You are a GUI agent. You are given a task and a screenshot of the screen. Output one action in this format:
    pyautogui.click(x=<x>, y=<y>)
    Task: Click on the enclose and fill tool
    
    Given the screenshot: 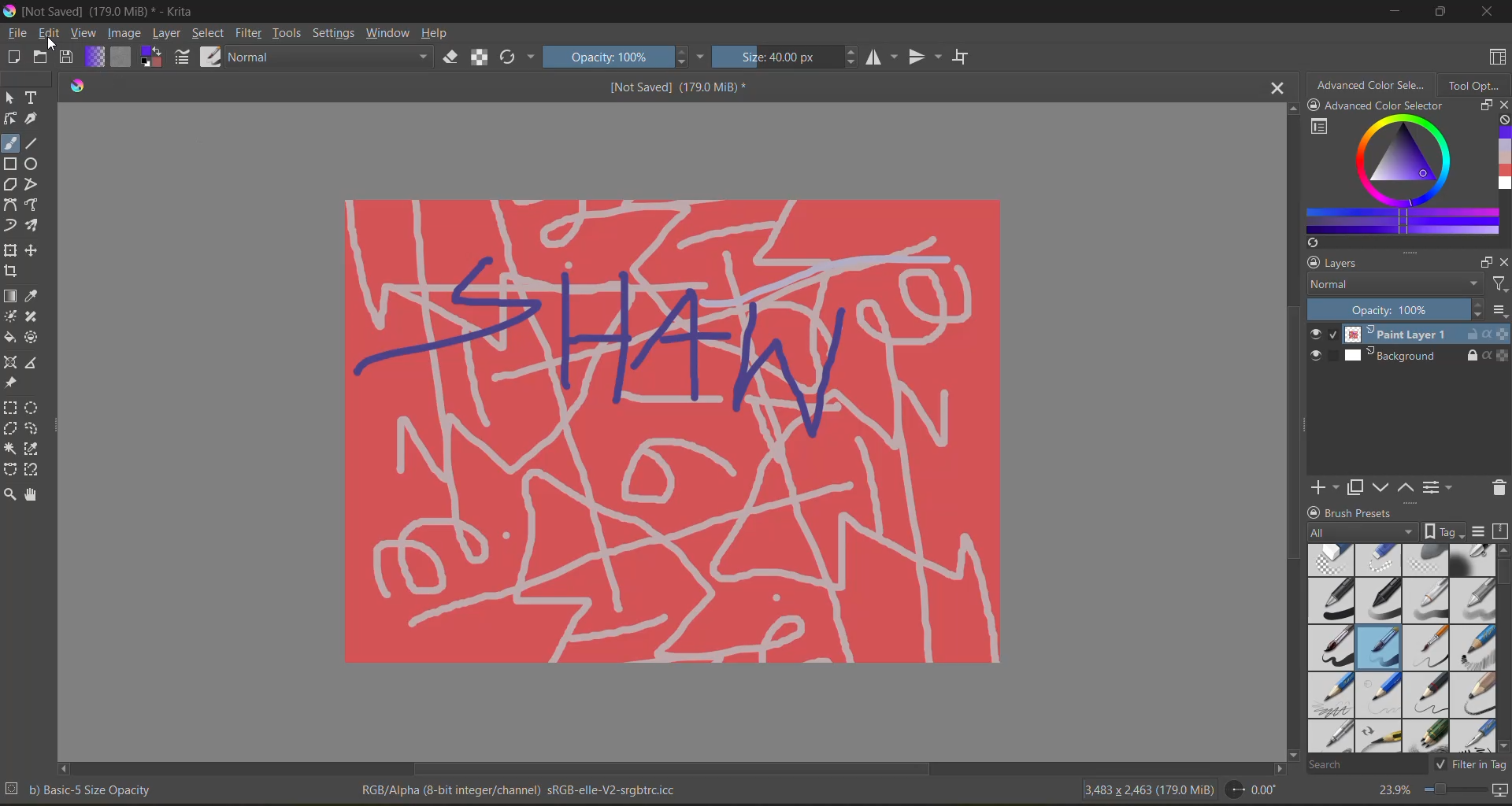 What is the action you would take?
    pyautogui.click(x=33, y=338)
    